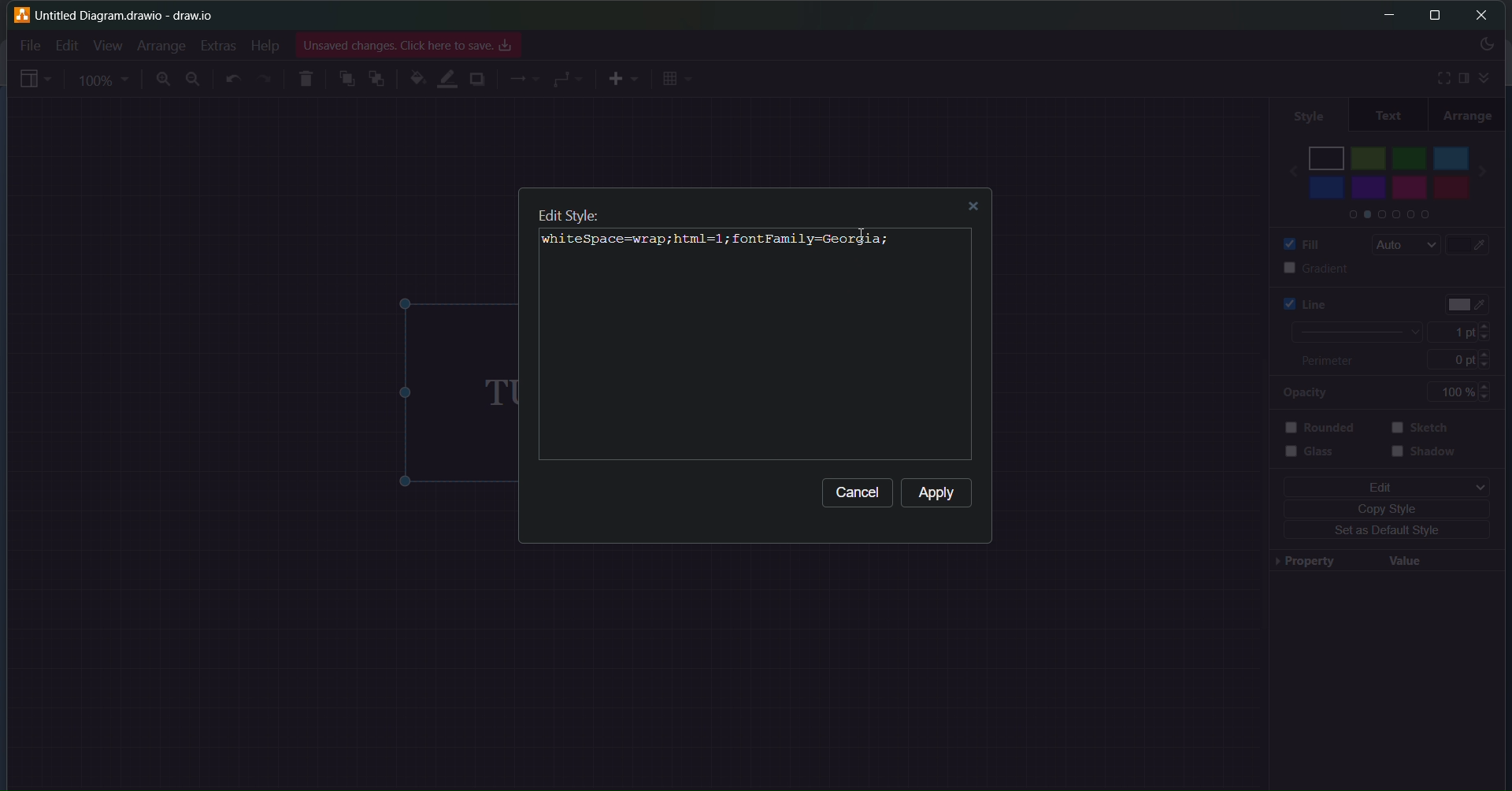 The image size is (1512, 791). Describe the element at coordinates (1352, 332) in the screenshot. I see `current line` at that location.